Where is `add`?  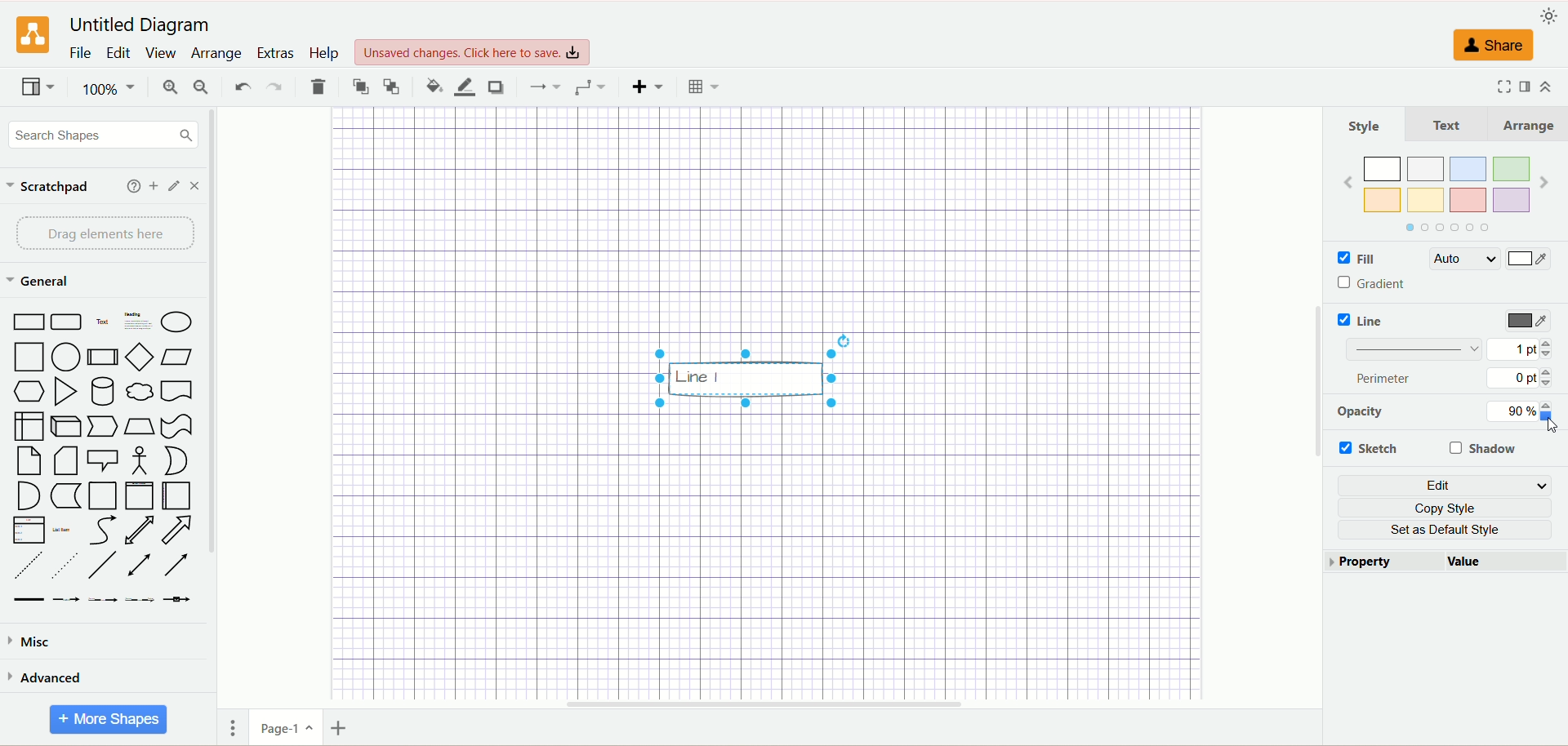 add is located at coordinates (130, 186).